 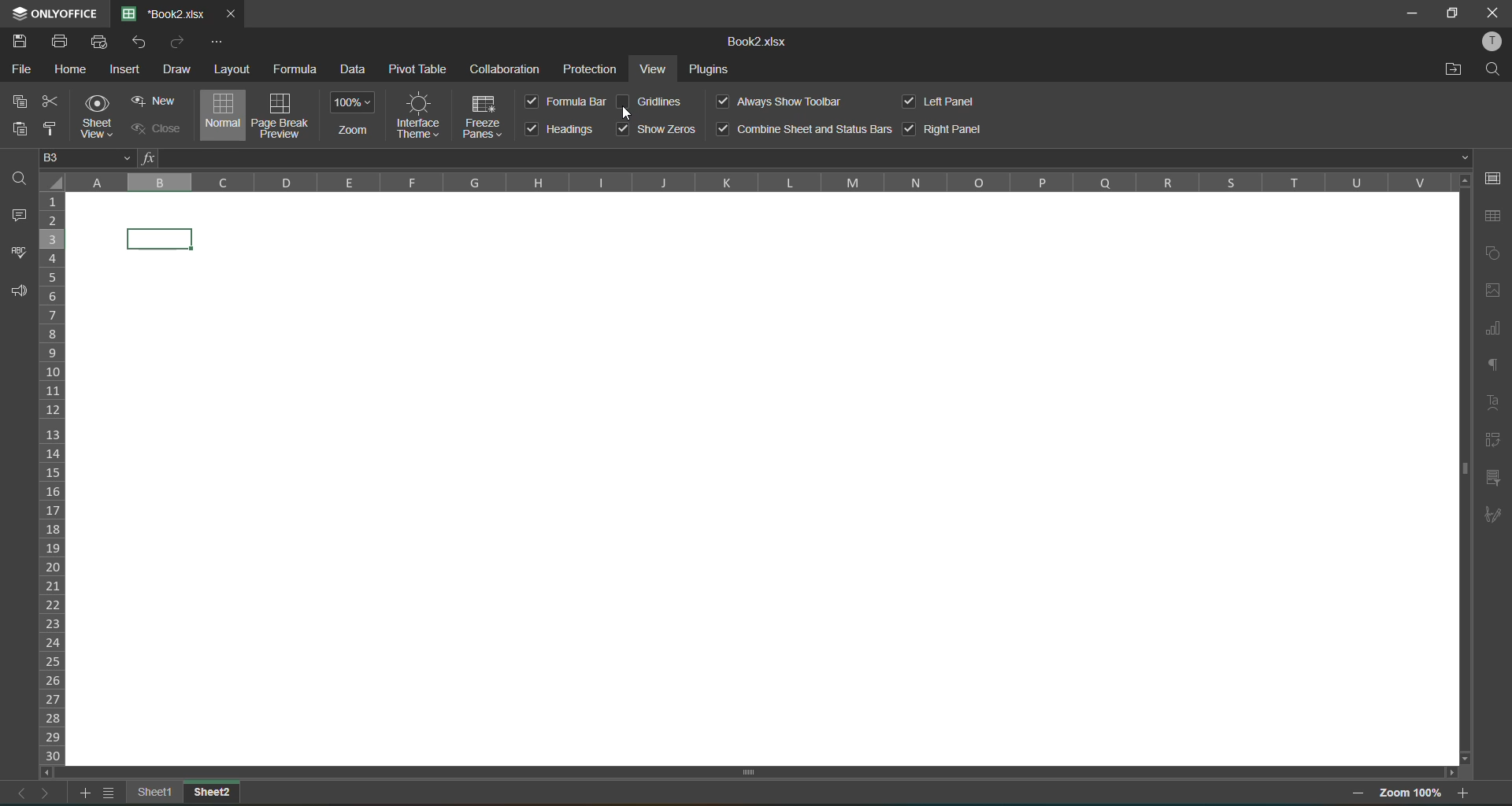 What do you see at coordinates (19, 294) in the screenshot?
I see `feedback` at bounding box center [19, 294].